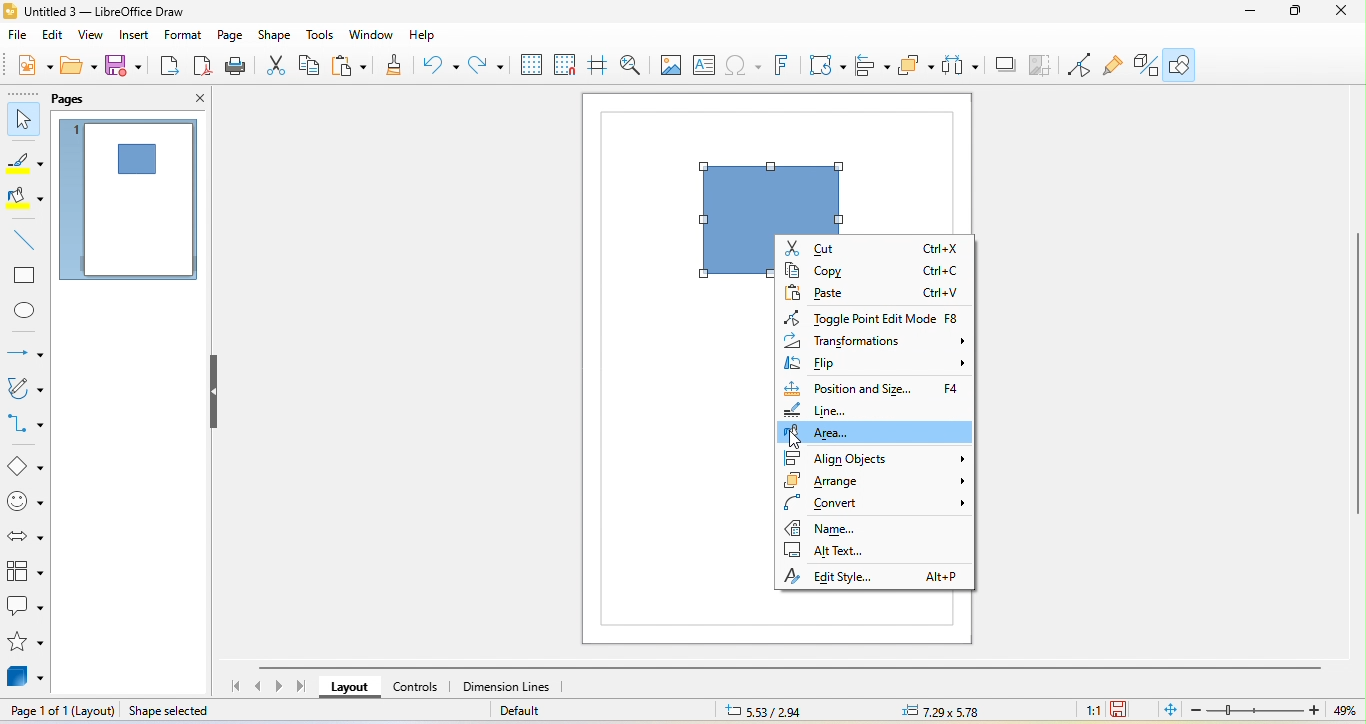 The width and height of the screenshot is (1366, 724). I want to click on last page, so click(303, 687).